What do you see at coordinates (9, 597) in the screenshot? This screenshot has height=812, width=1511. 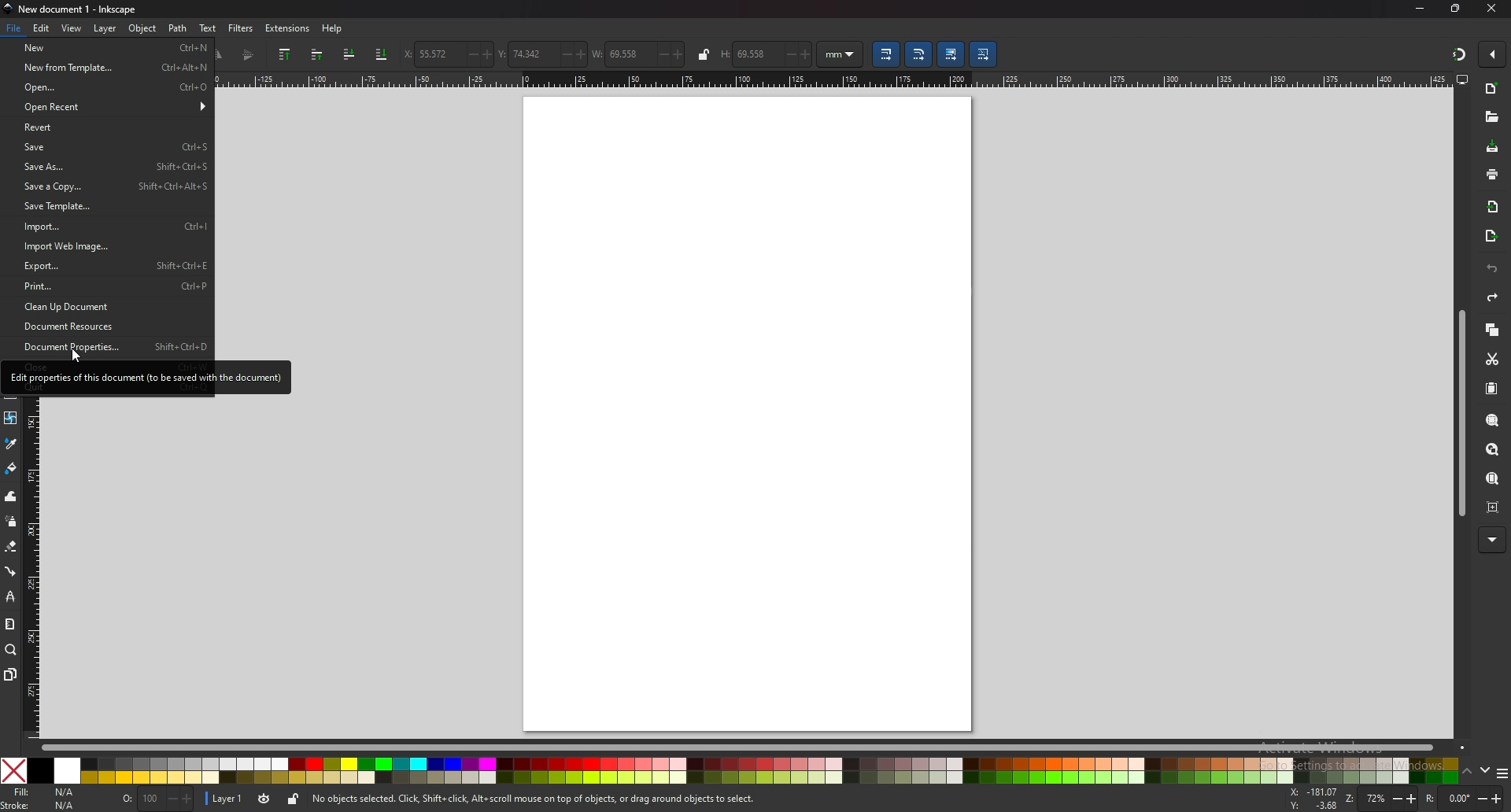 I see `lpe` at bounding box center [9, 597].